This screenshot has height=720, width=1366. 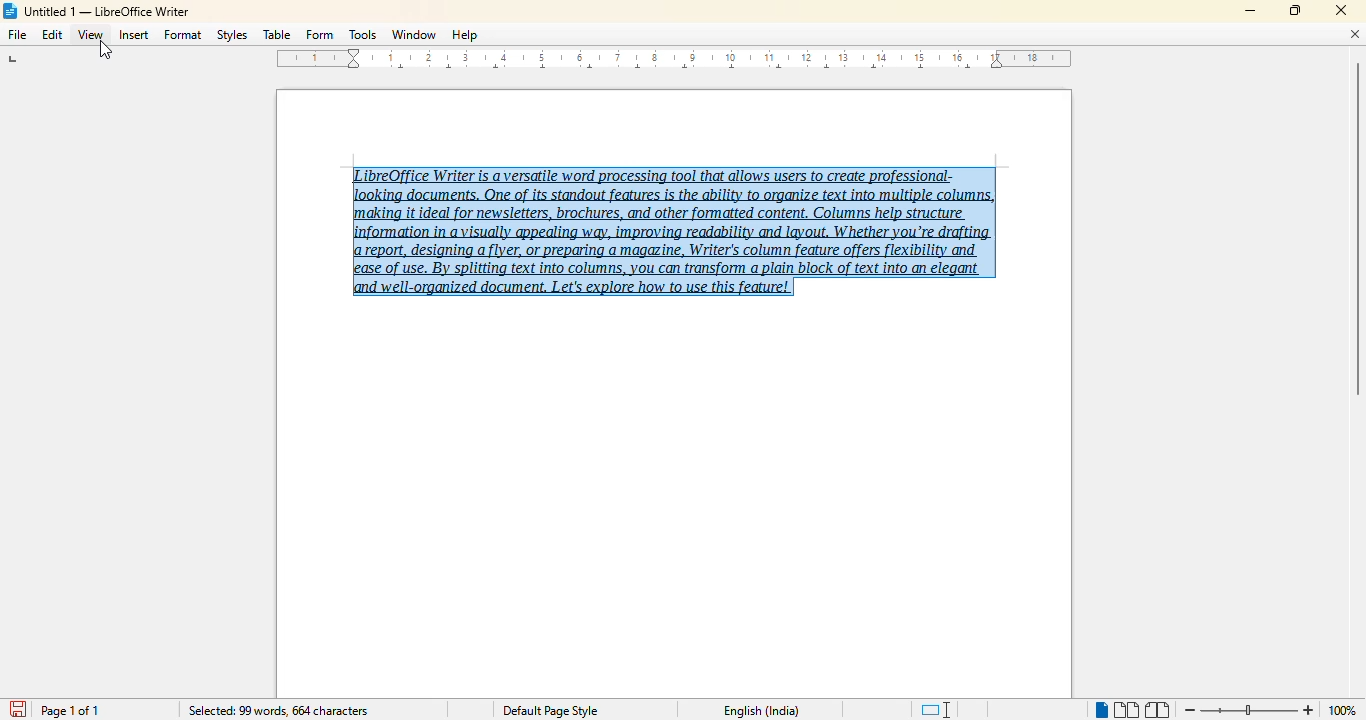 What do you see at coordinates (1357, 229) in the screenshot?
I see `vertical scroll bar` at bounding box center [1357, 229].